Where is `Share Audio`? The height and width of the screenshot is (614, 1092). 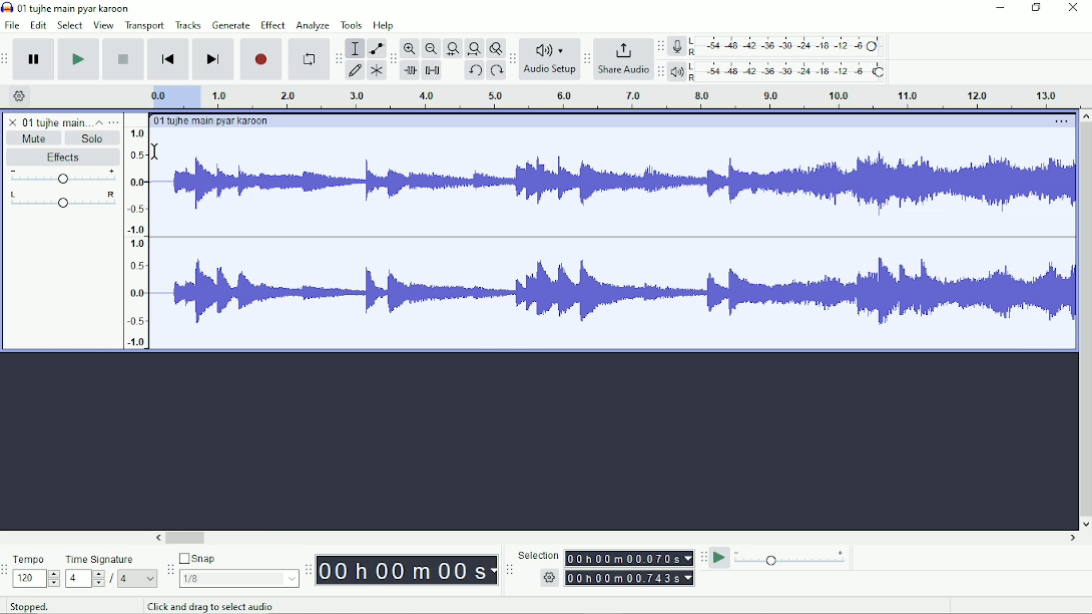
Share Audio is located at coordinates (622, 71).